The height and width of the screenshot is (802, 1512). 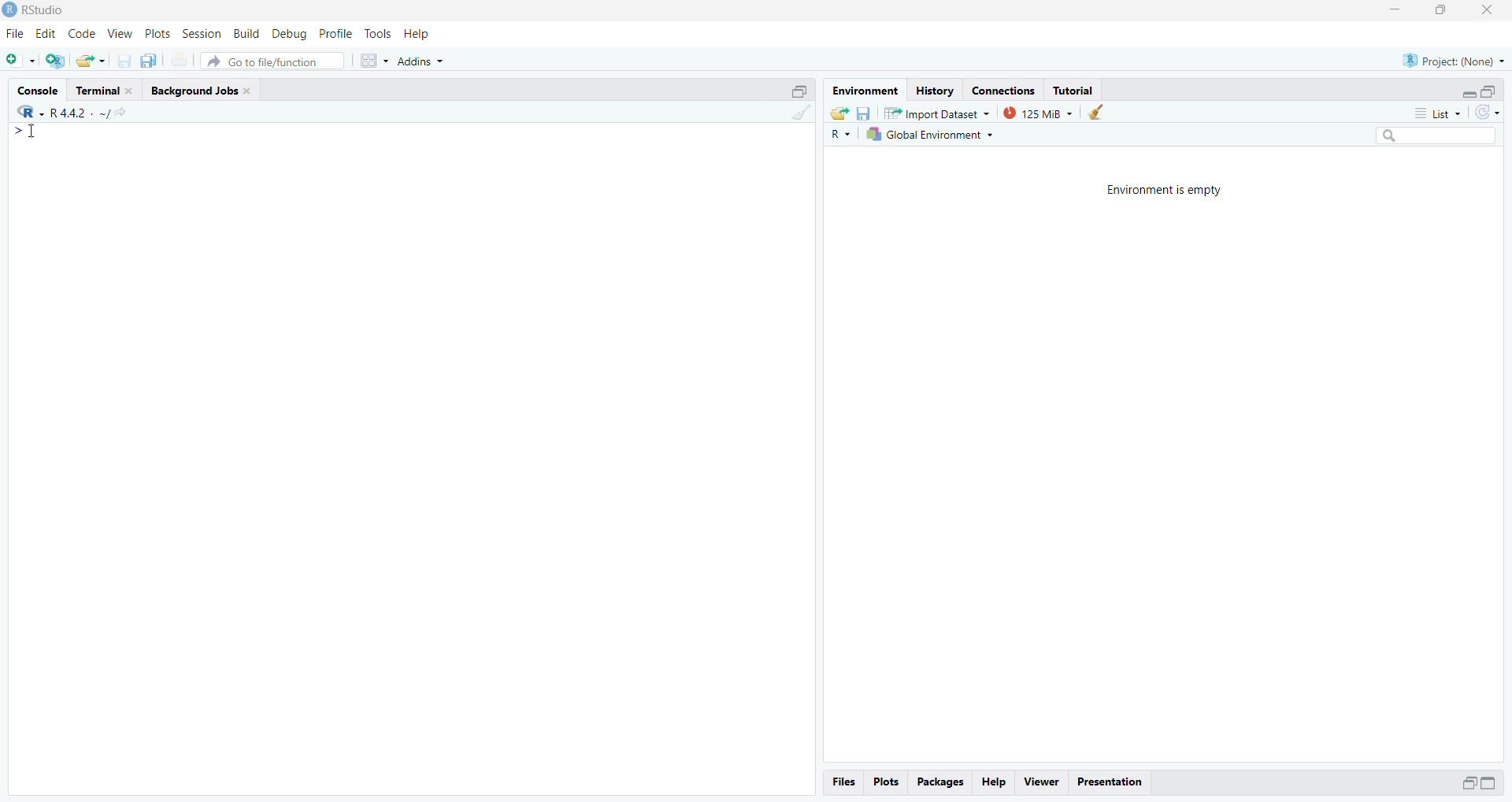 I want to click on Profile, so click(x=335, y=34).